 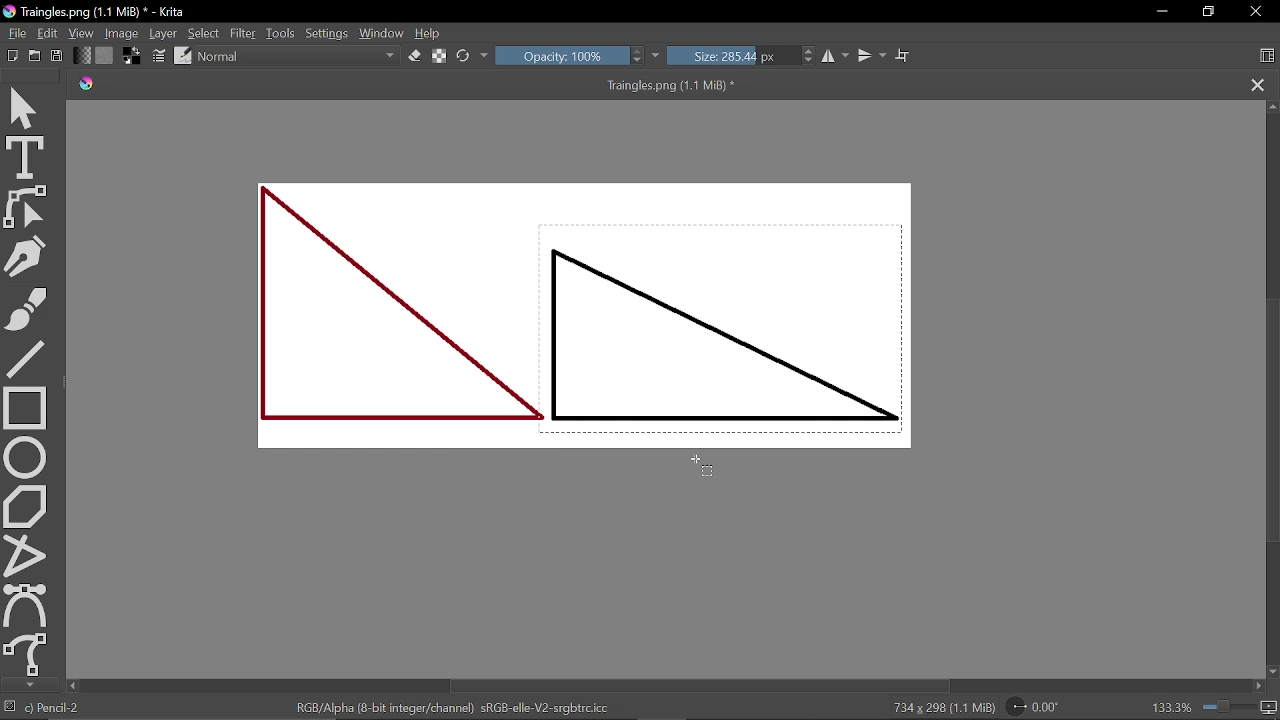 What do you see at coordinates (26, 456) in the screenshot?
I see `Ellipse tool` at bounding box center [26, 456].